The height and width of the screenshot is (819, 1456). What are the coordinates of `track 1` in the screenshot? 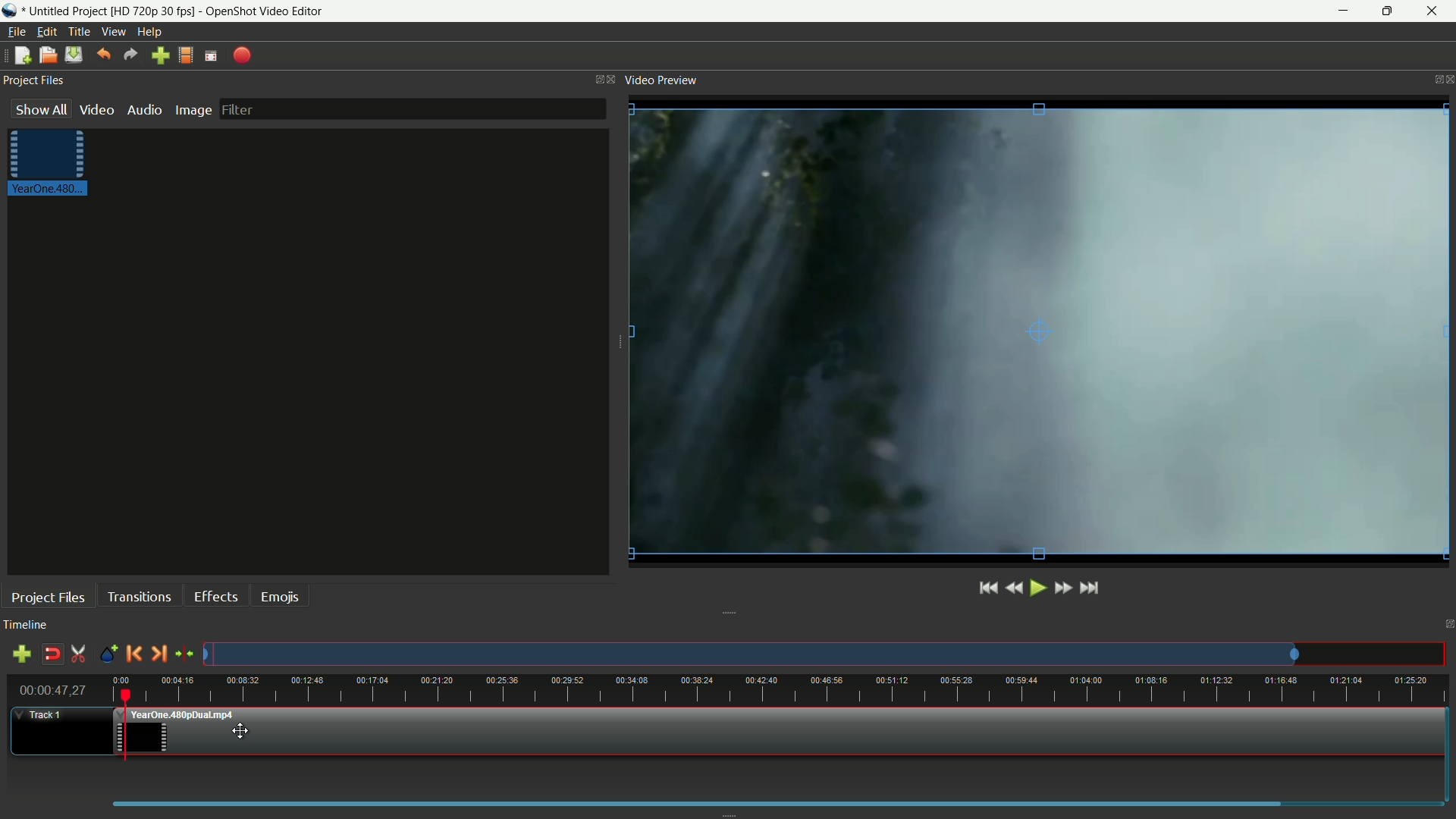 It's located at (45, 715).